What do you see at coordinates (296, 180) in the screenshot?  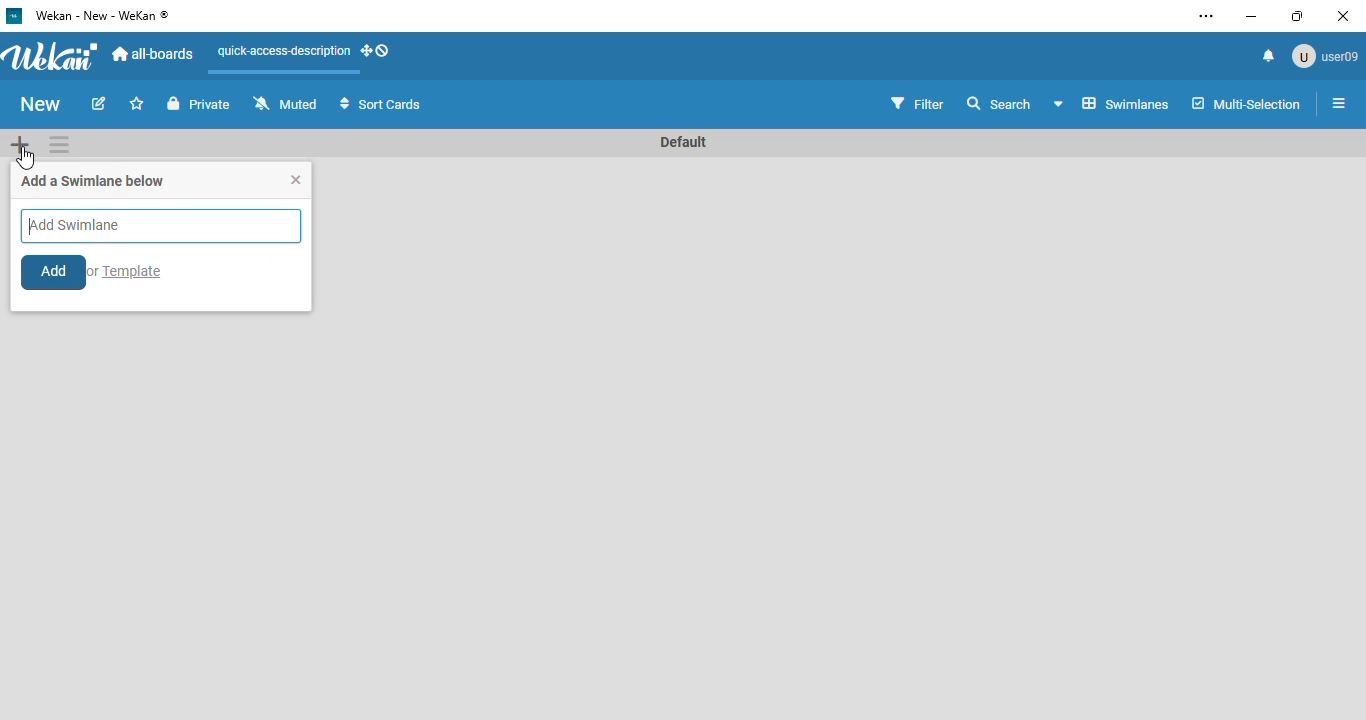 I see `close` at bounding box center [296, 180].